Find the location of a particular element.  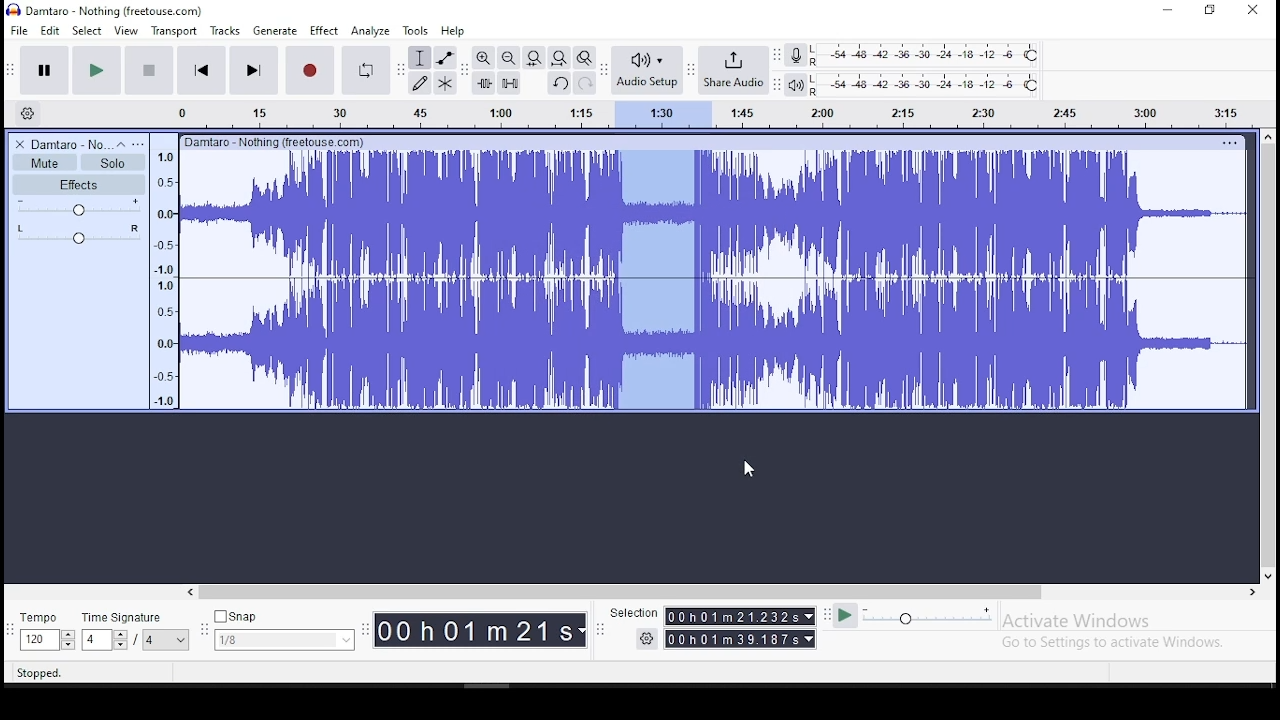

help is located at coordinates (453, 32).